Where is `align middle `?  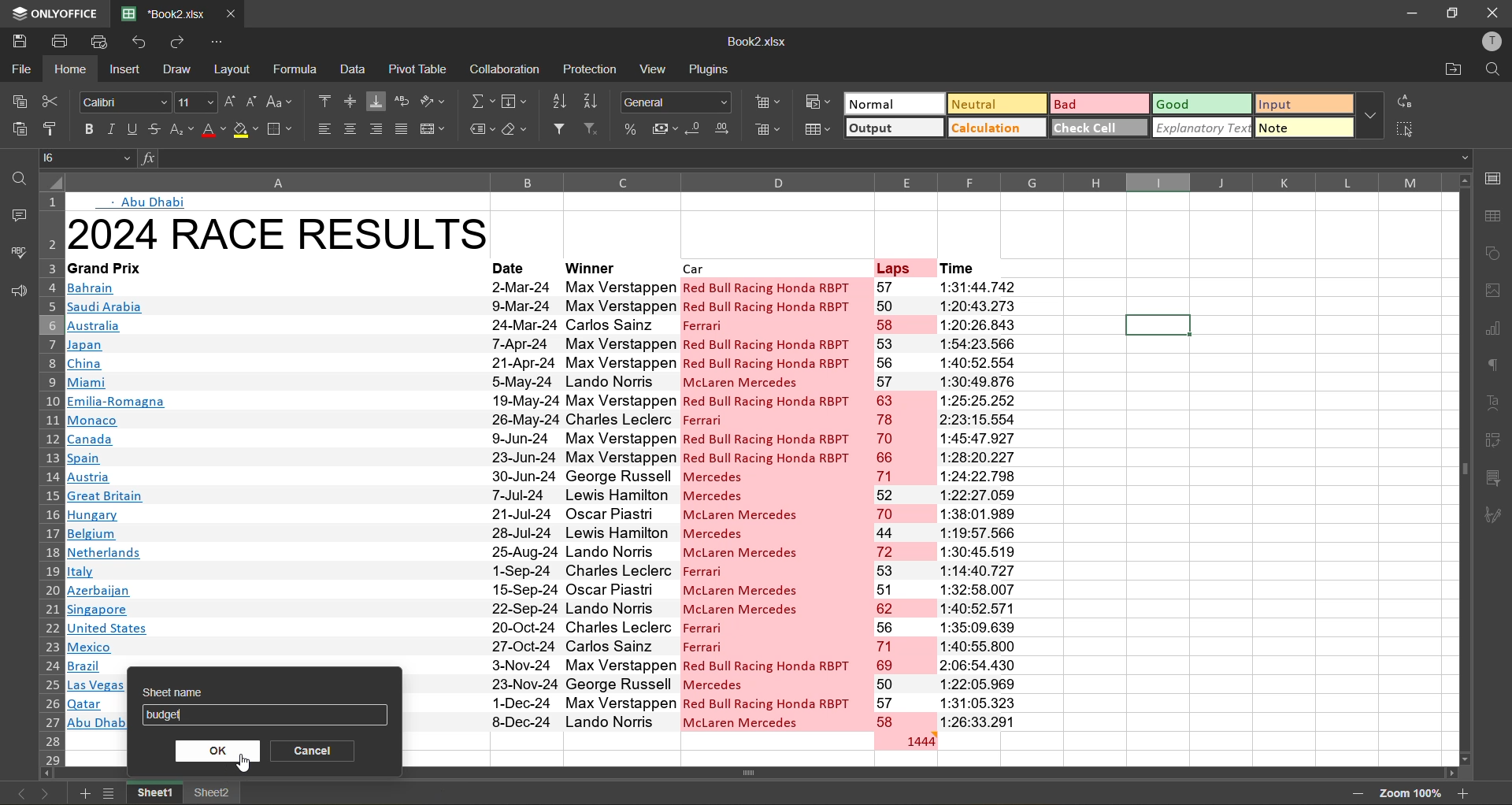 align middle  is located at coordinates (353, 101).